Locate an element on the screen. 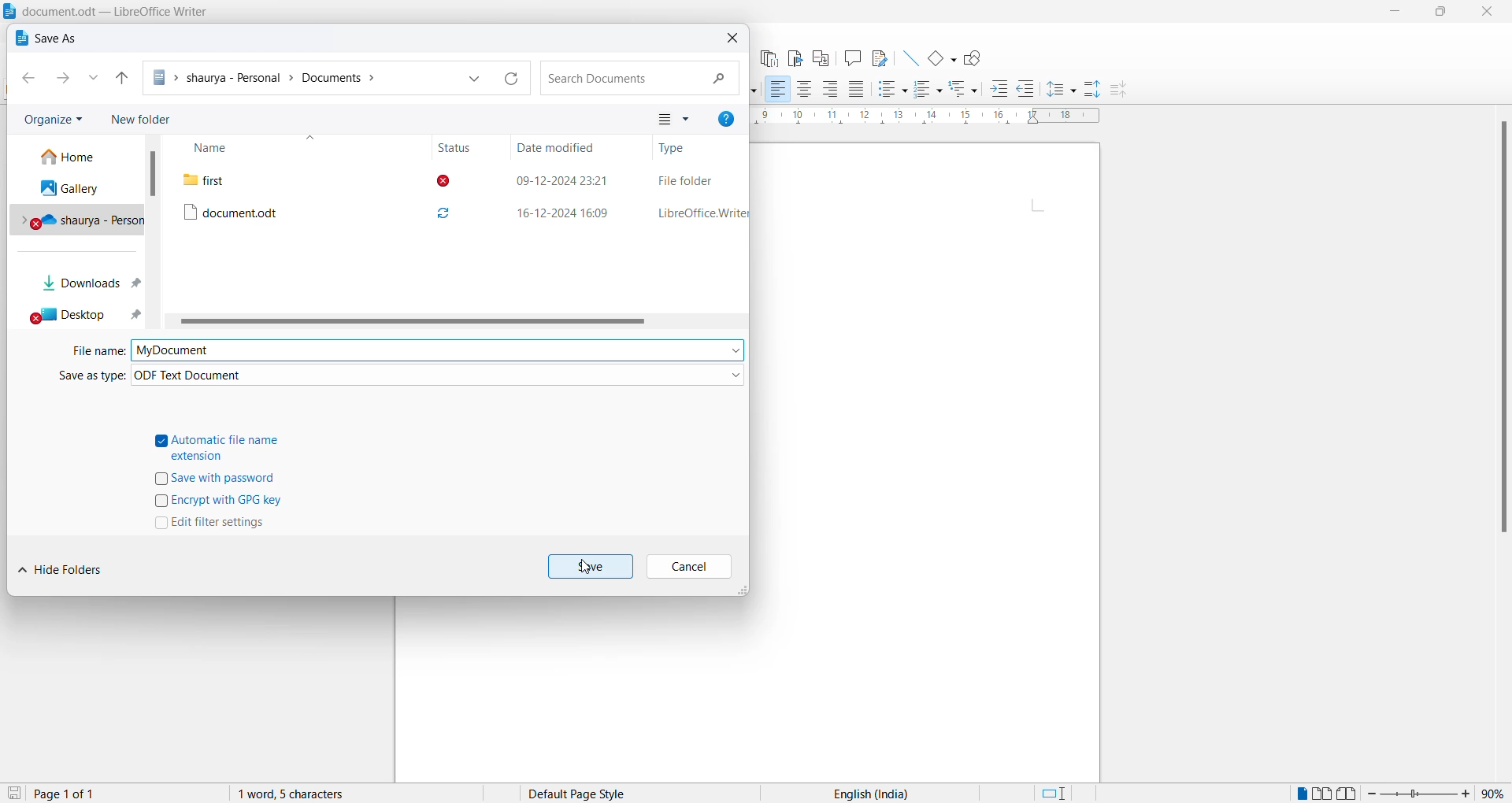 The width and height of the screenshot is (1512, 803).  is located at coordinates (1026, 90).